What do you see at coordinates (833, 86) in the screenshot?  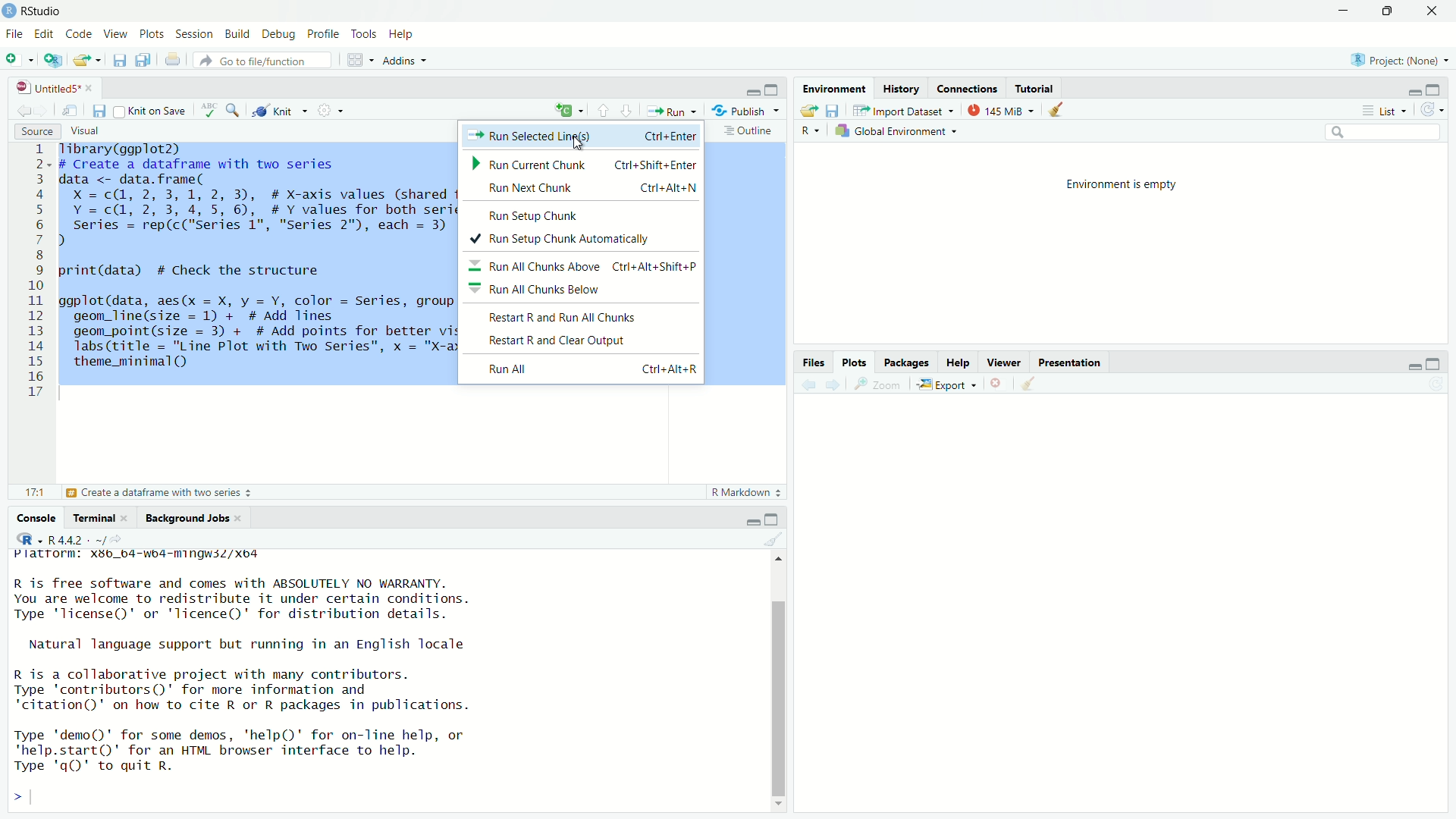 I see `Environment` at bounding box center [833, 86].